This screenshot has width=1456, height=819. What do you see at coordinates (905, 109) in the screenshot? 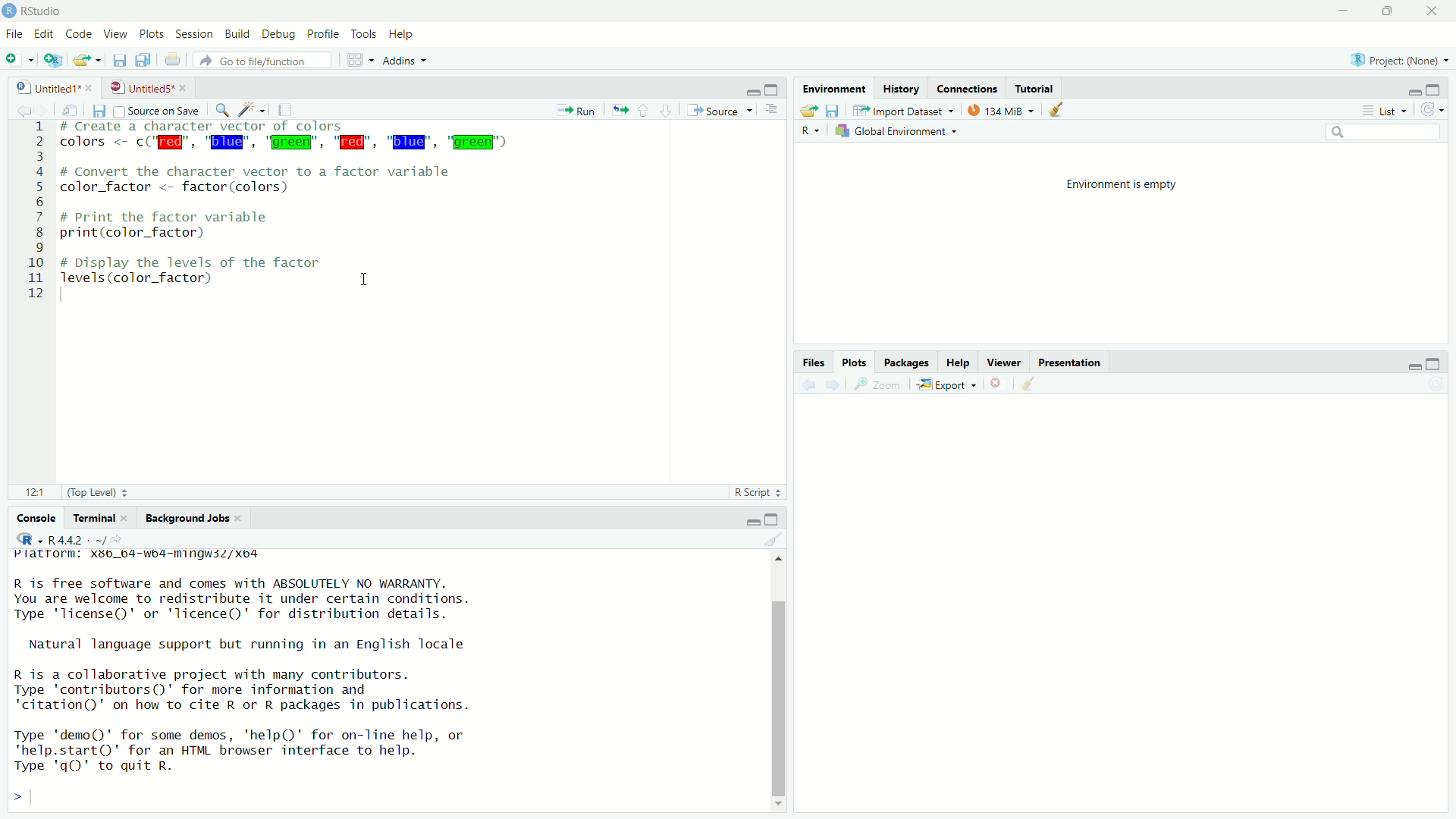
I see `import dataset` at bounding box center [905, 109].